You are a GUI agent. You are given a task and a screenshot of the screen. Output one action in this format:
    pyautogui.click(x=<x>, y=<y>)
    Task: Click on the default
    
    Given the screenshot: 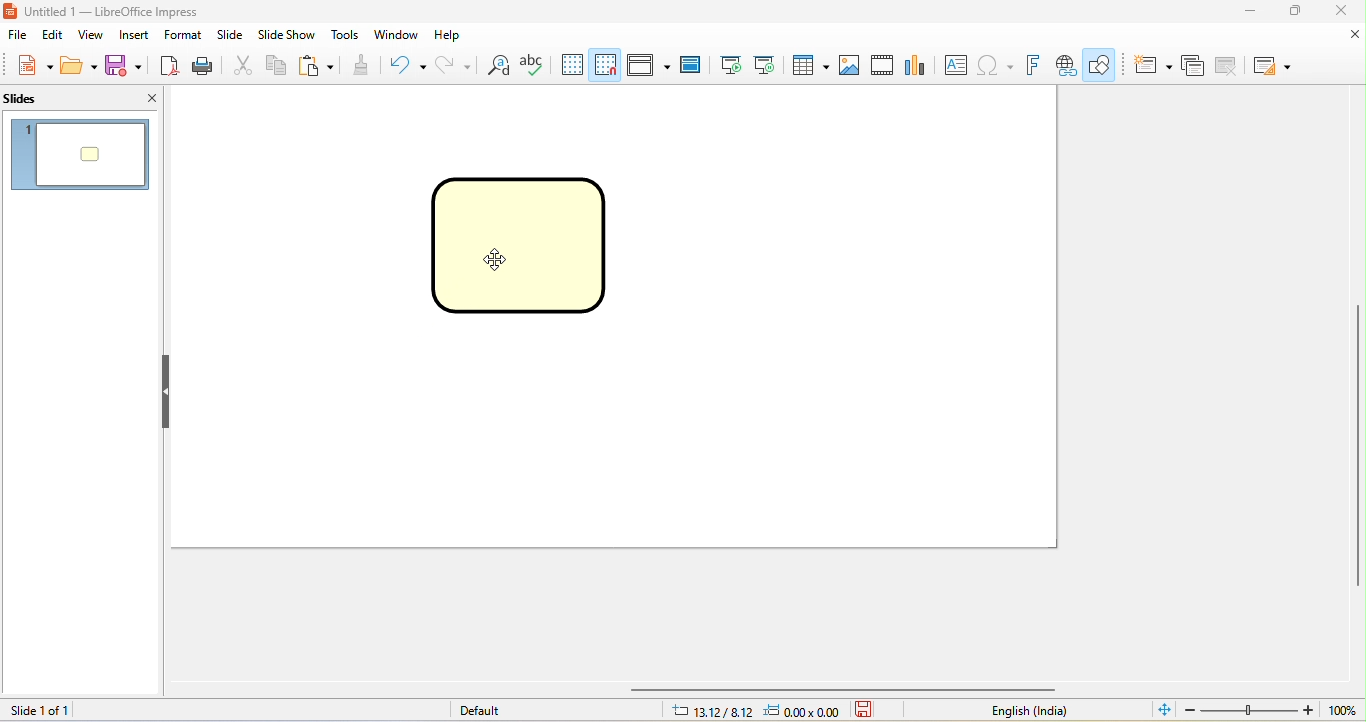 What is the action you would take?
    pyautogui.click(x=479, y=710)
    